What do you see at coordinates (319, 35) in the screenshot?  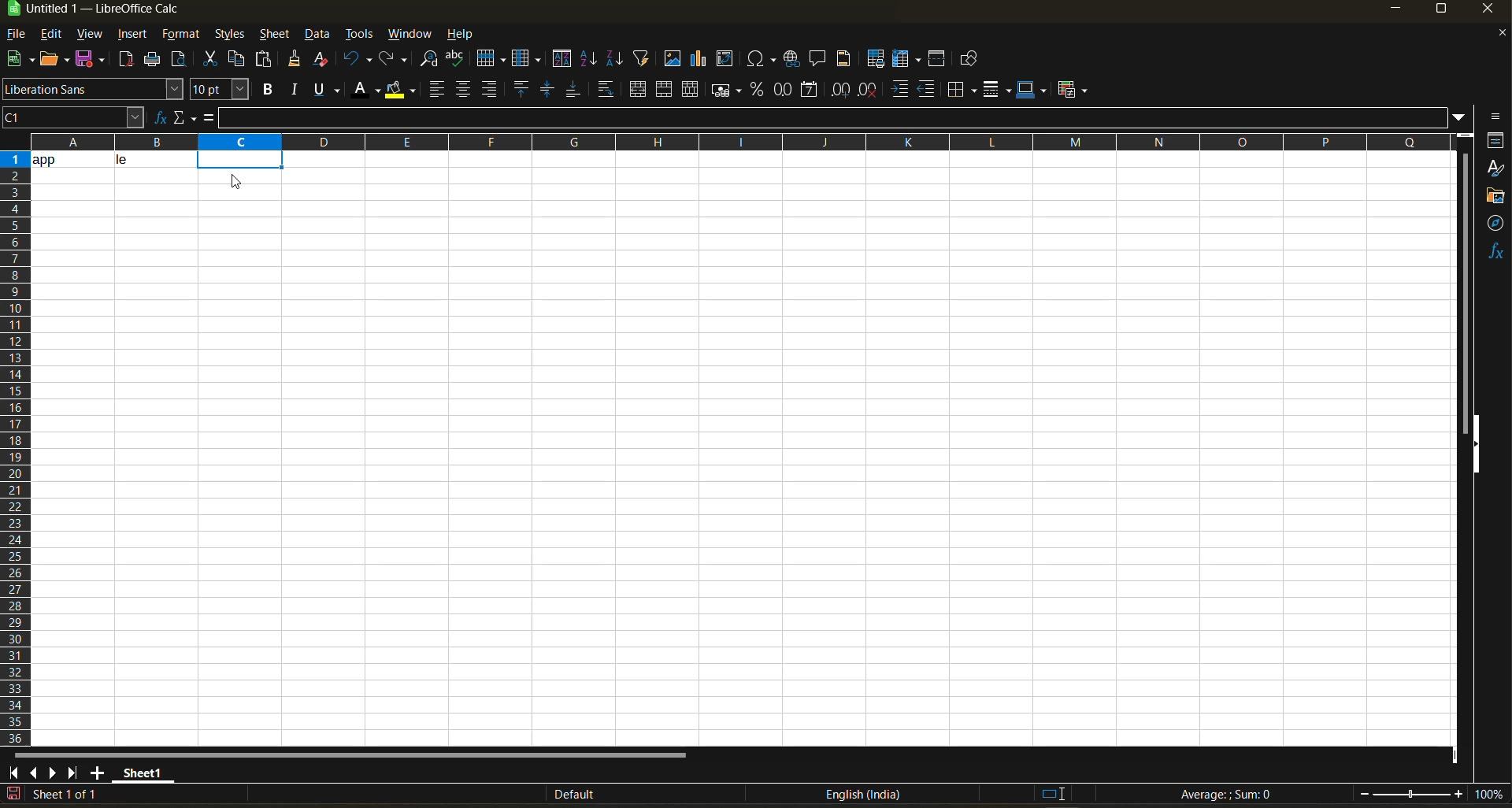 I see `data` at bounding box center [319, 35].